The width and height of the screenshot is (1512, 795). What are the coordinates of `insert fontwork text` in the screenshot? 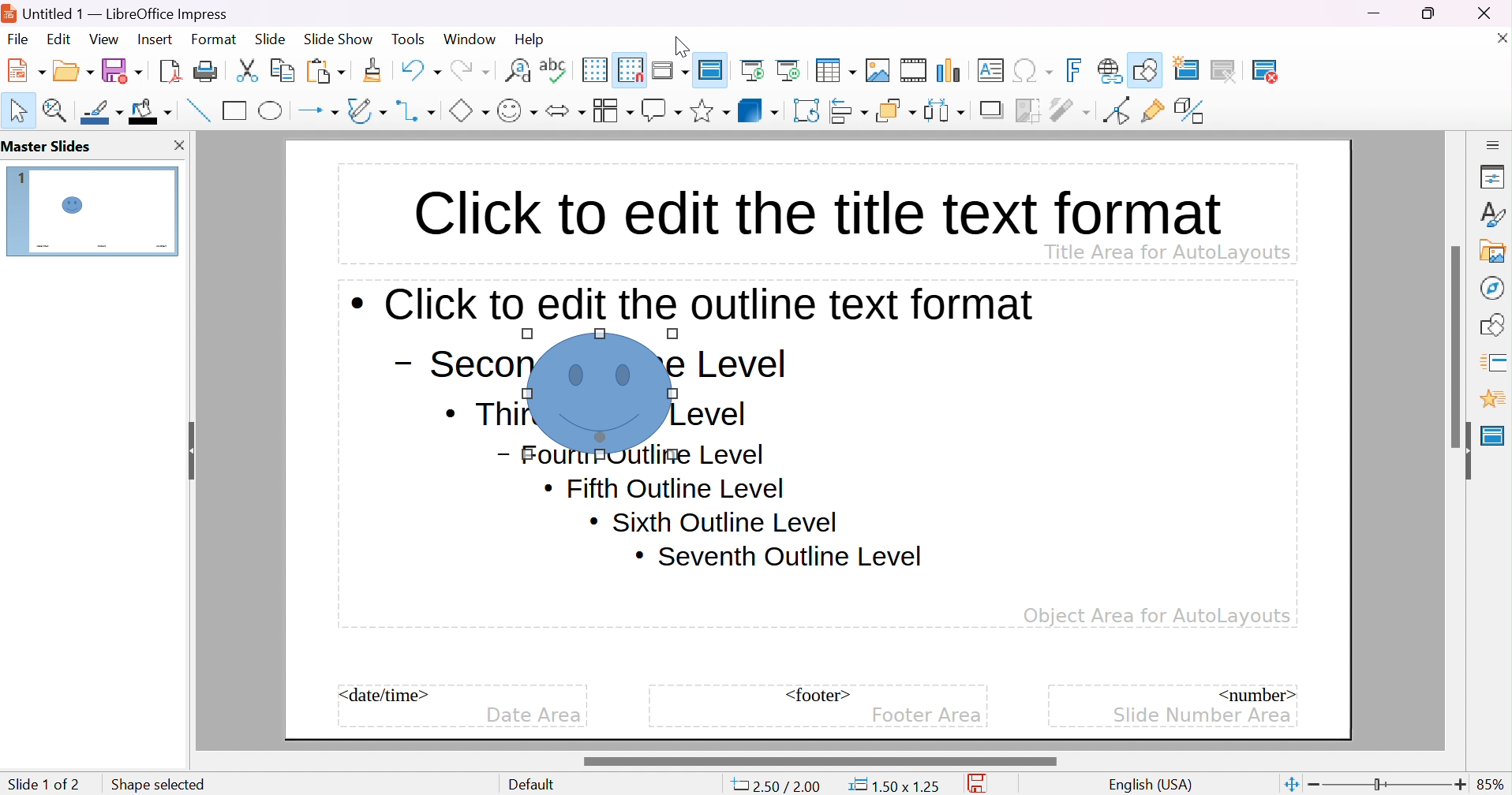 It's located at (1076, 70).